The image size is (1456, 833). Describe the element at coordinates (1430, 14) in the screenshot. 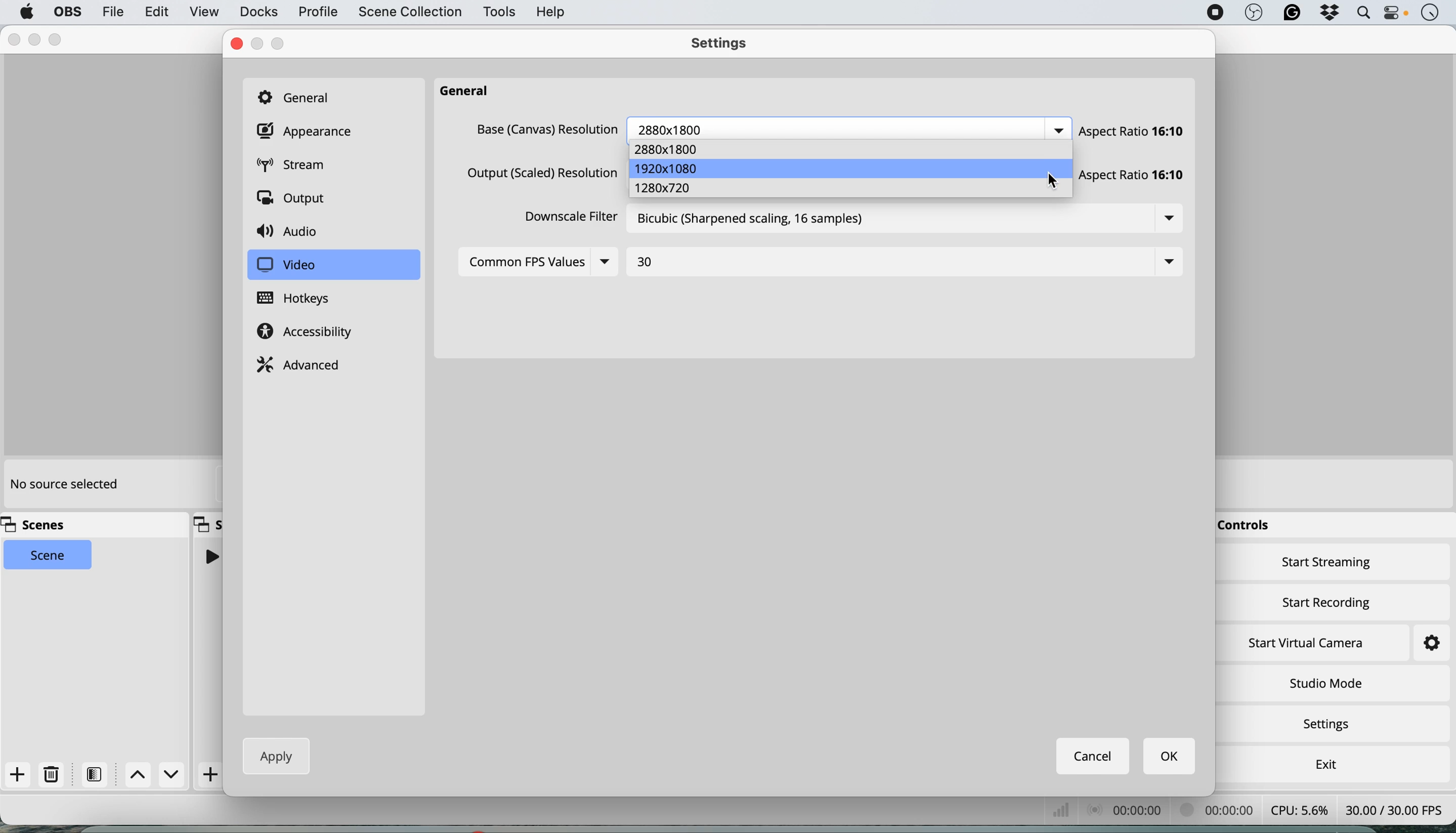

I see `time` at that location.